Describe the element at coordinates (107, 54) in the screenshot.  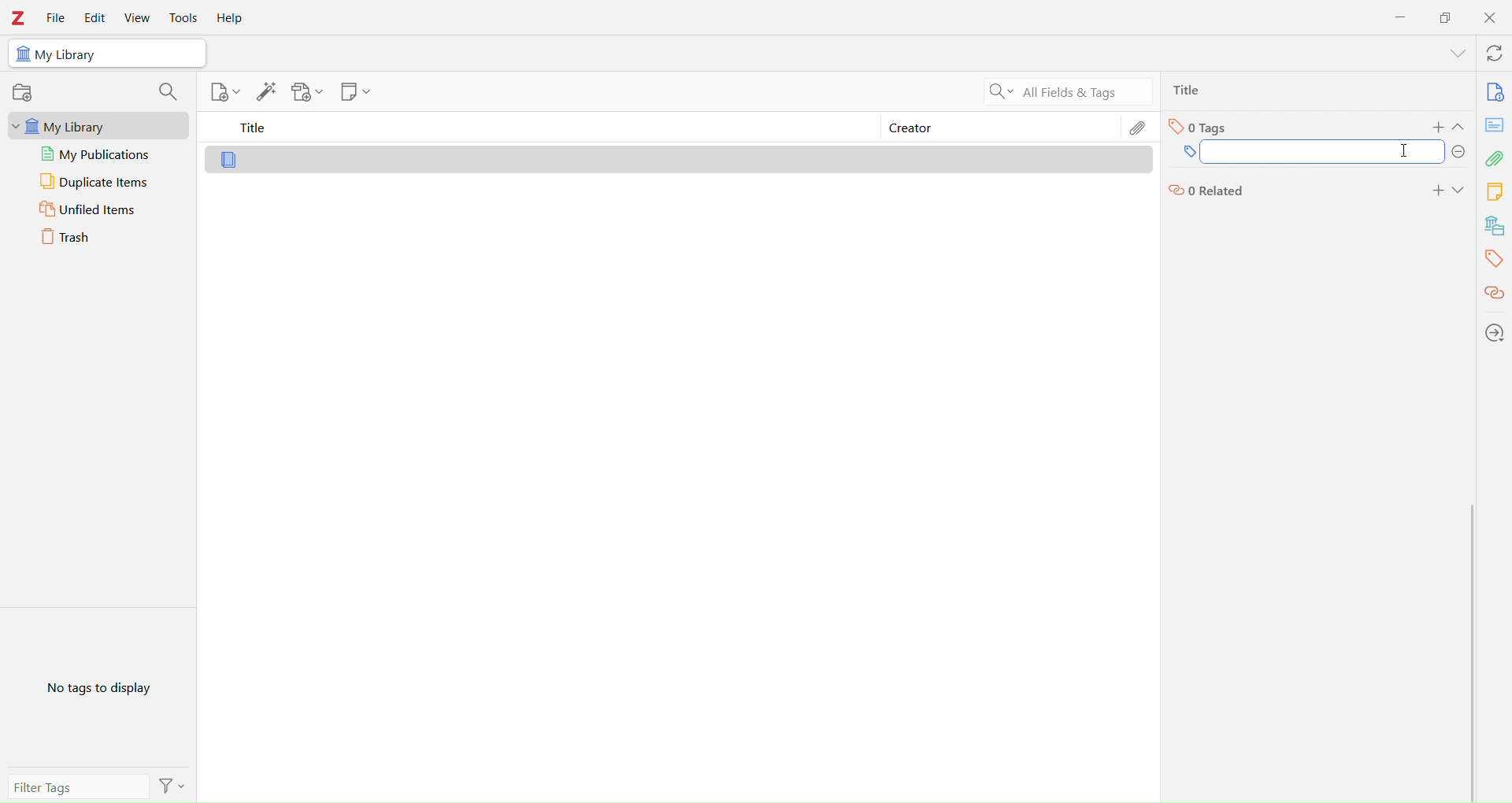
I see `My Library` at that location.